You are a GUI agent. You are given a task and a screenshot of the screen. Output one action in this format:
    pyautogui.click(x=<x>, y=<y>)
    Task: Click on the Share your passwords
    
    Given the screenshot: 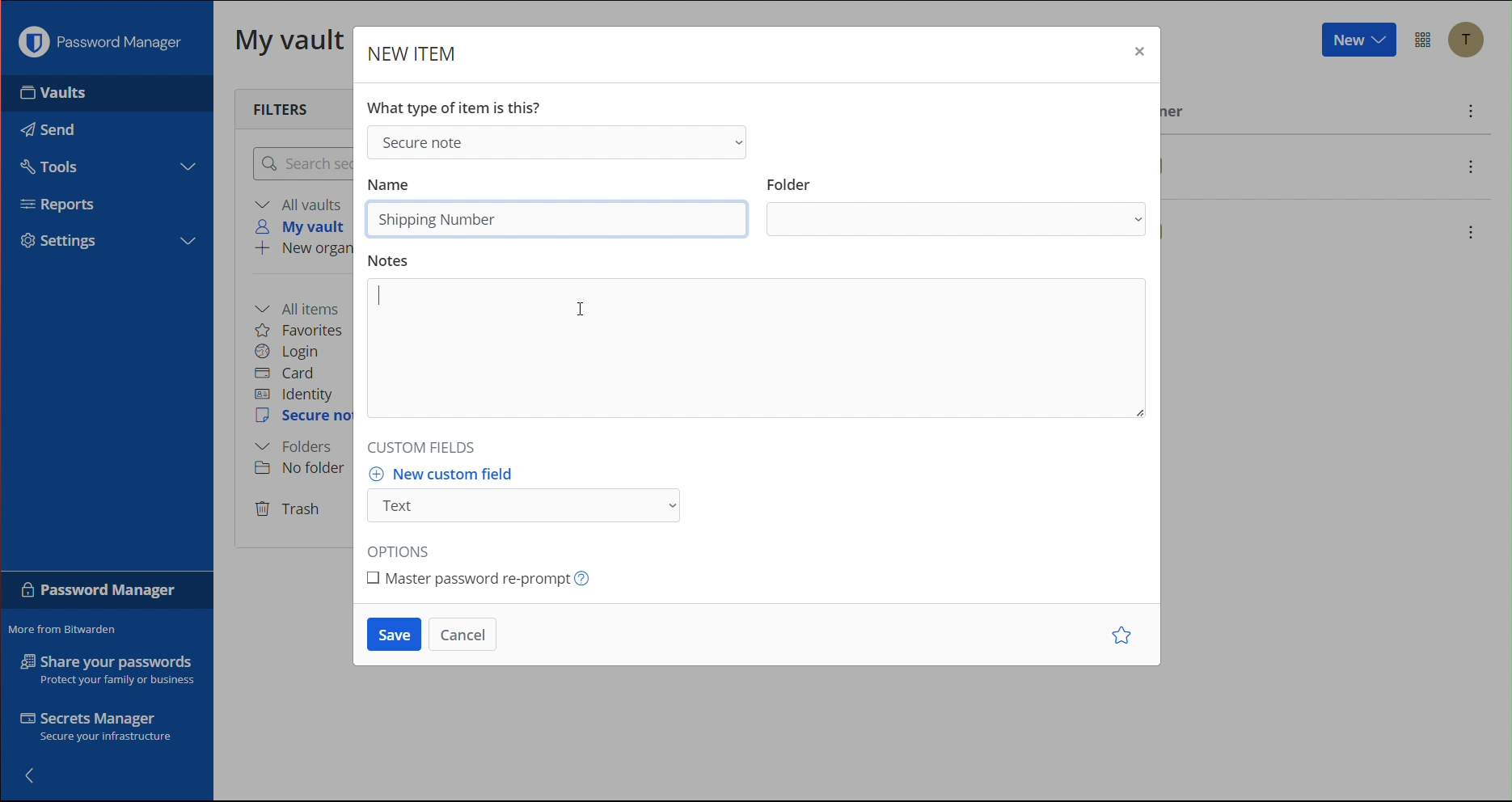 What is the action you would take?
    pyautogui.click(x=103, y=670)
    